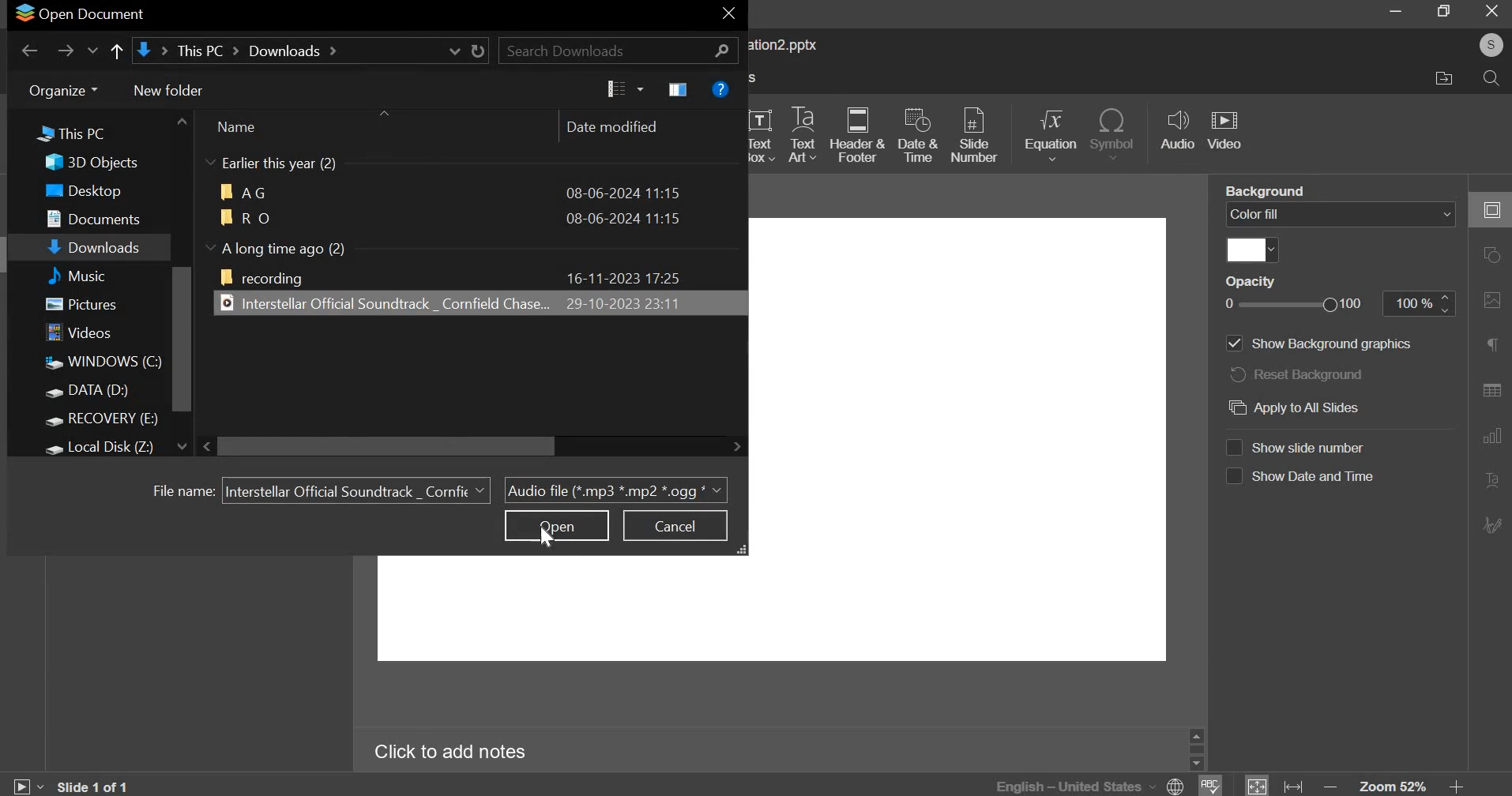  I want to click on get help, so click(721, 89).